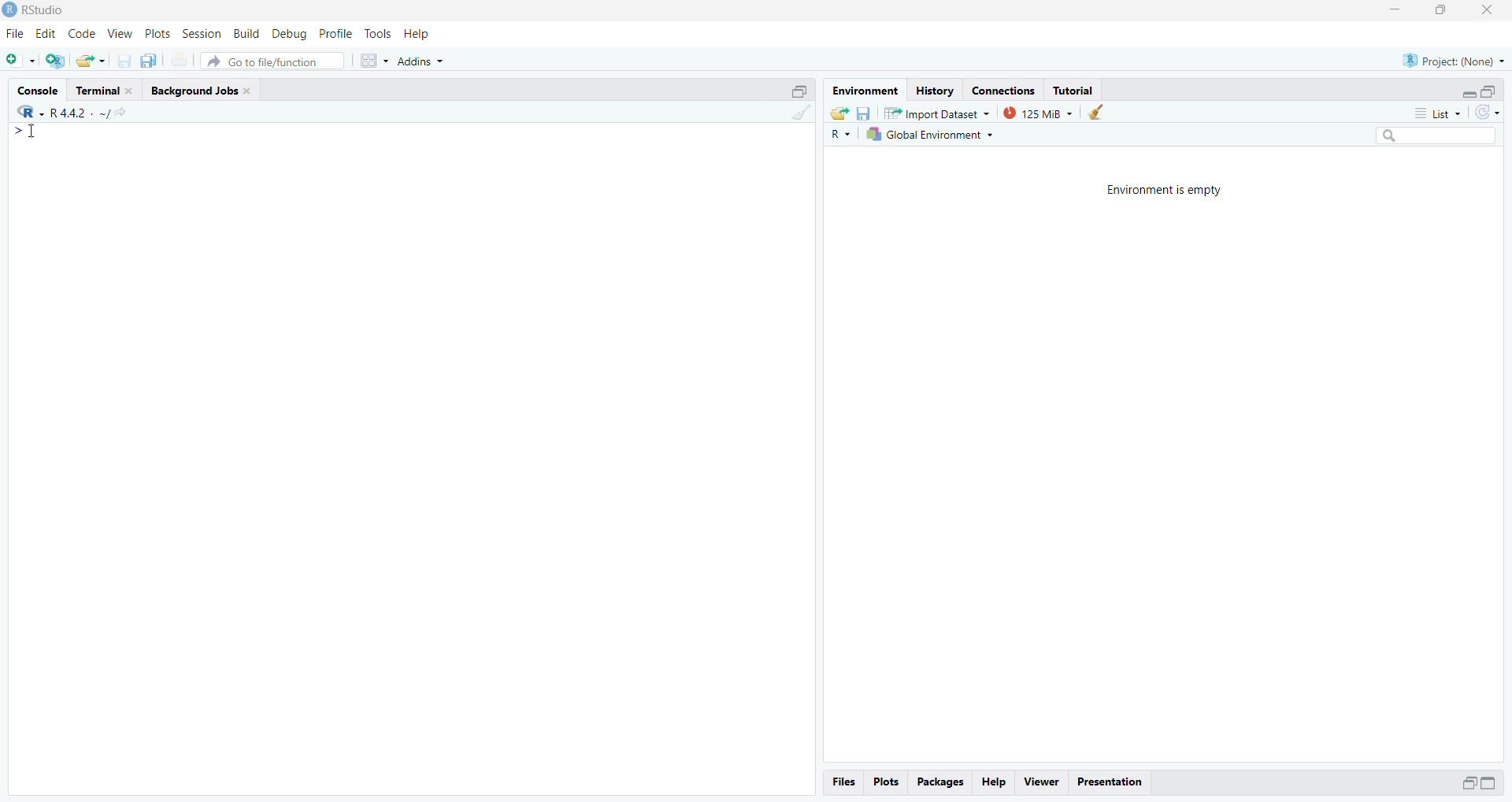 Image resolution: width=1512 pixels, height=802 pixels. What do you see at coordinates (799, 112) in the screenshot?
I see `clear console` at bounding box center [799, 112].